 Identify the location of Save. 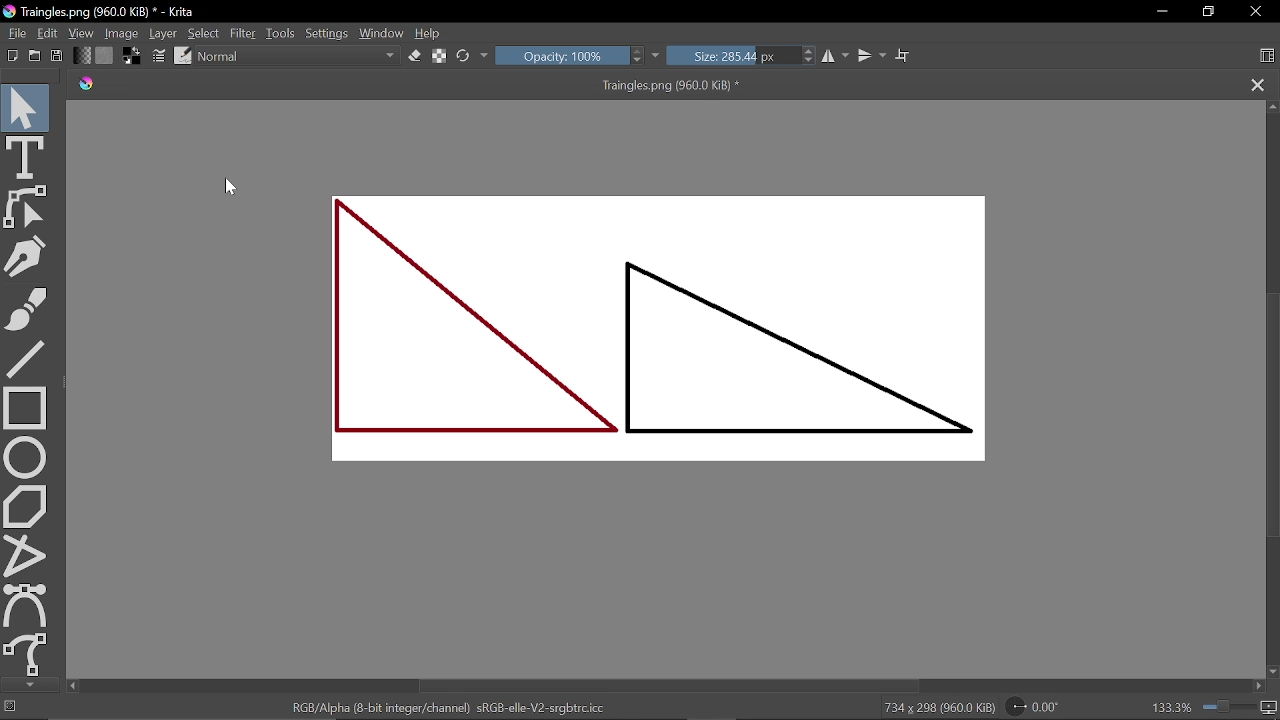
(56, 57).